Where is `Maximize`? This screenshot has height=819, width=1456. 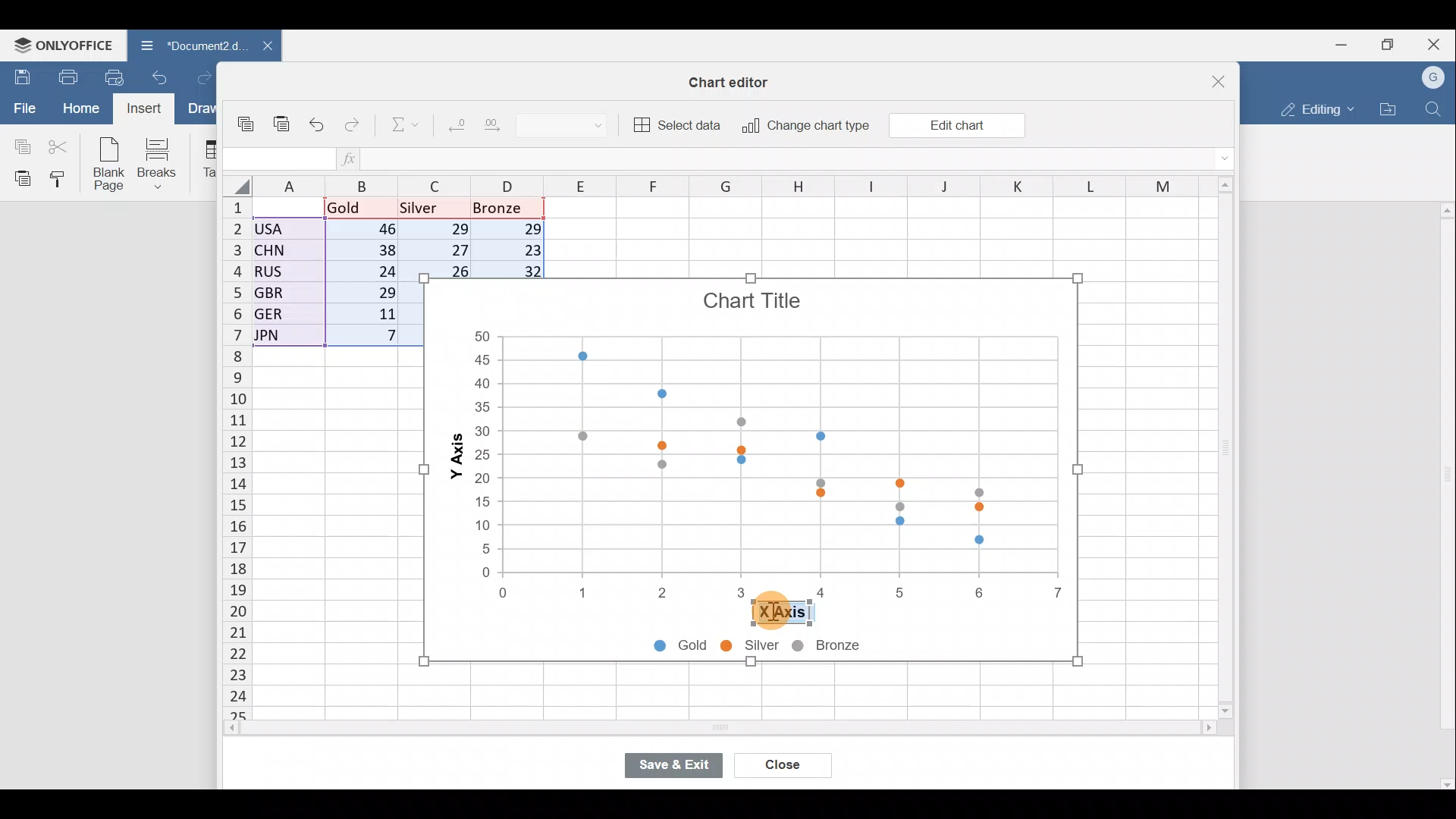
Maximize is located at coordinates (1389, 45).